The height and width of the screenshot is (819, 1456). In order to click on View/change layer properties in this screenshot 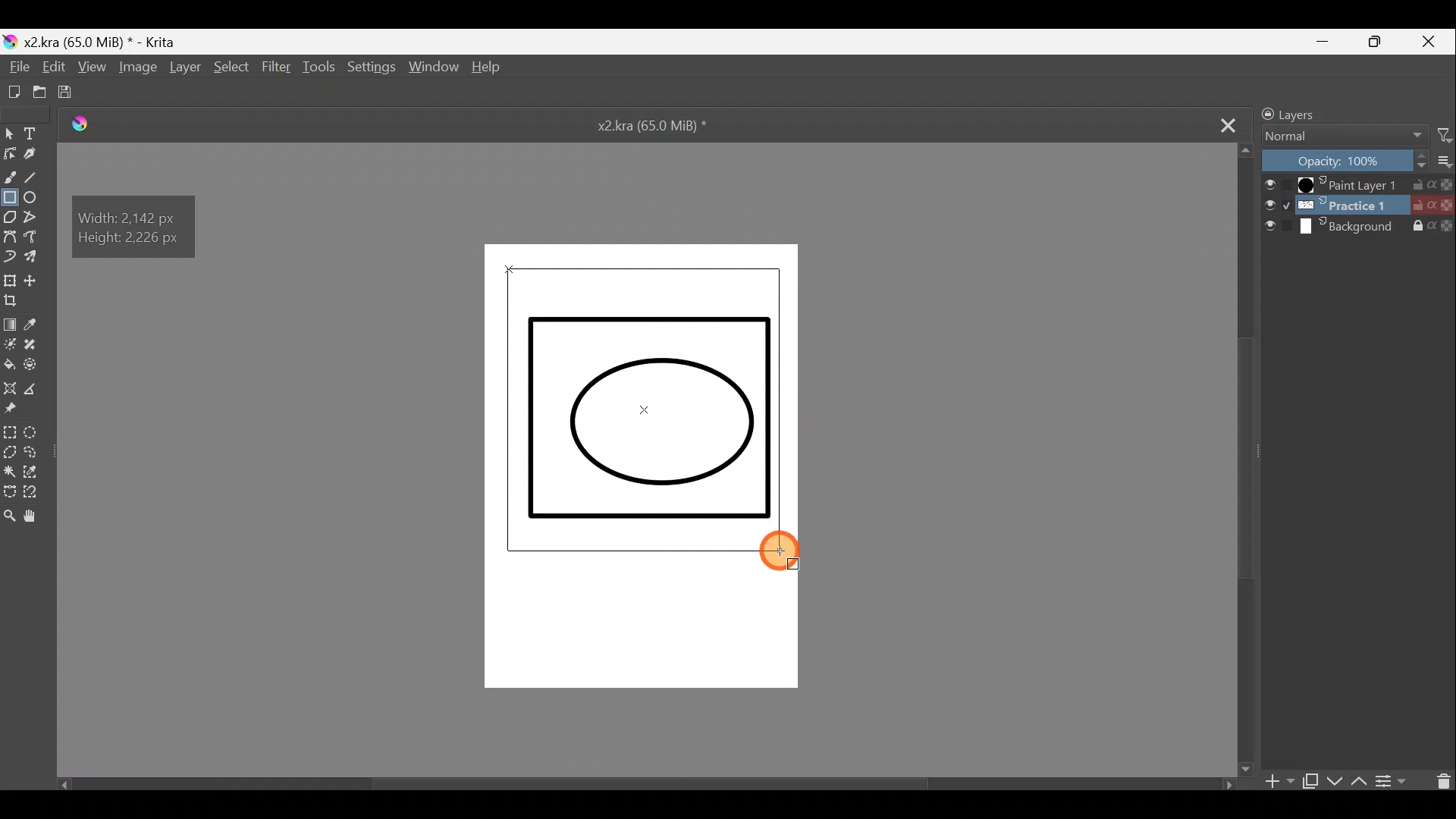, I will do `click(1395, 781)`.